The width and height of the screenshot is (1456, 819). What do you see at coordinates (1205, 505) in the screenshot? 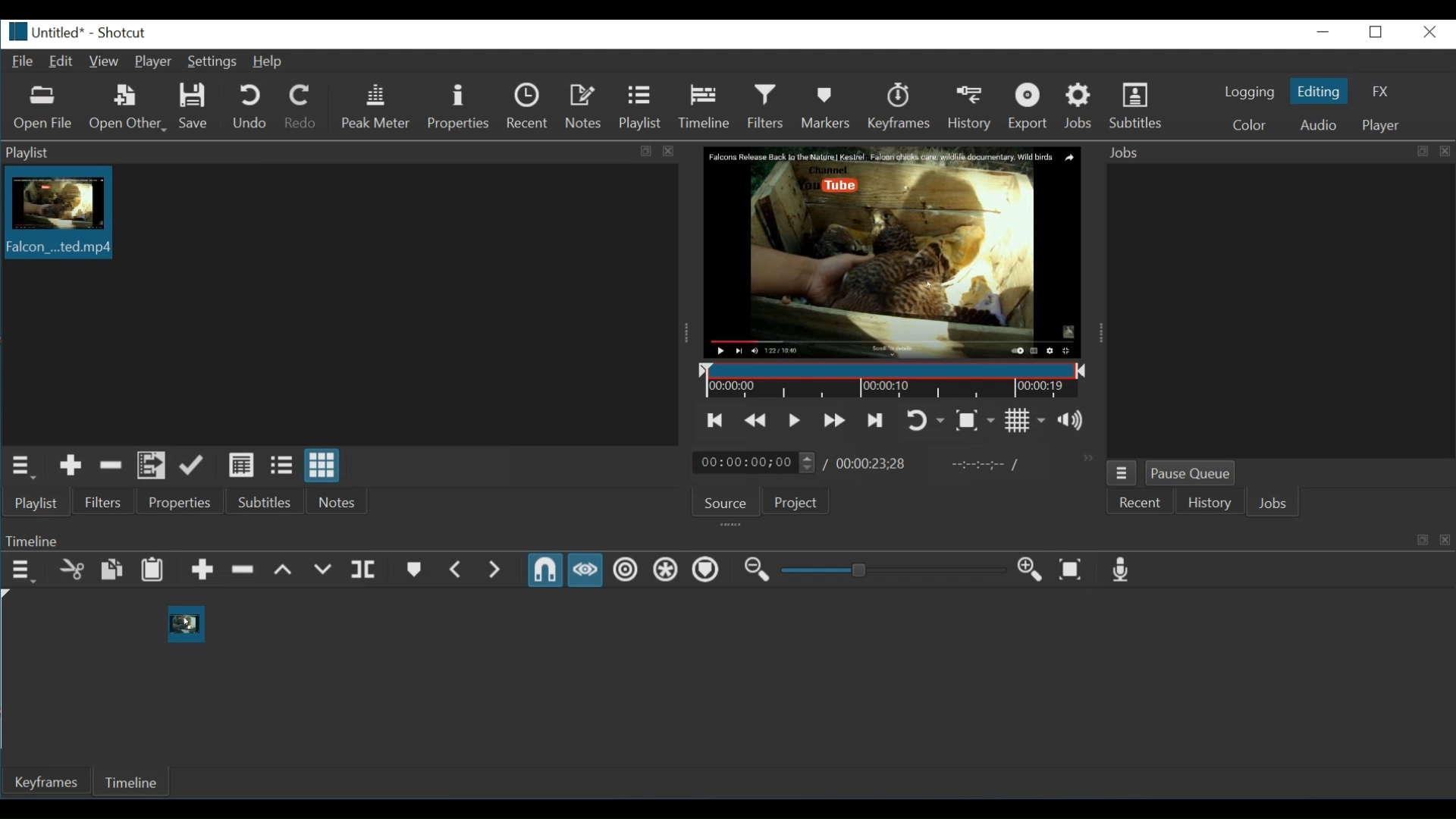
I see `History` at bounding box center [1205, 505].